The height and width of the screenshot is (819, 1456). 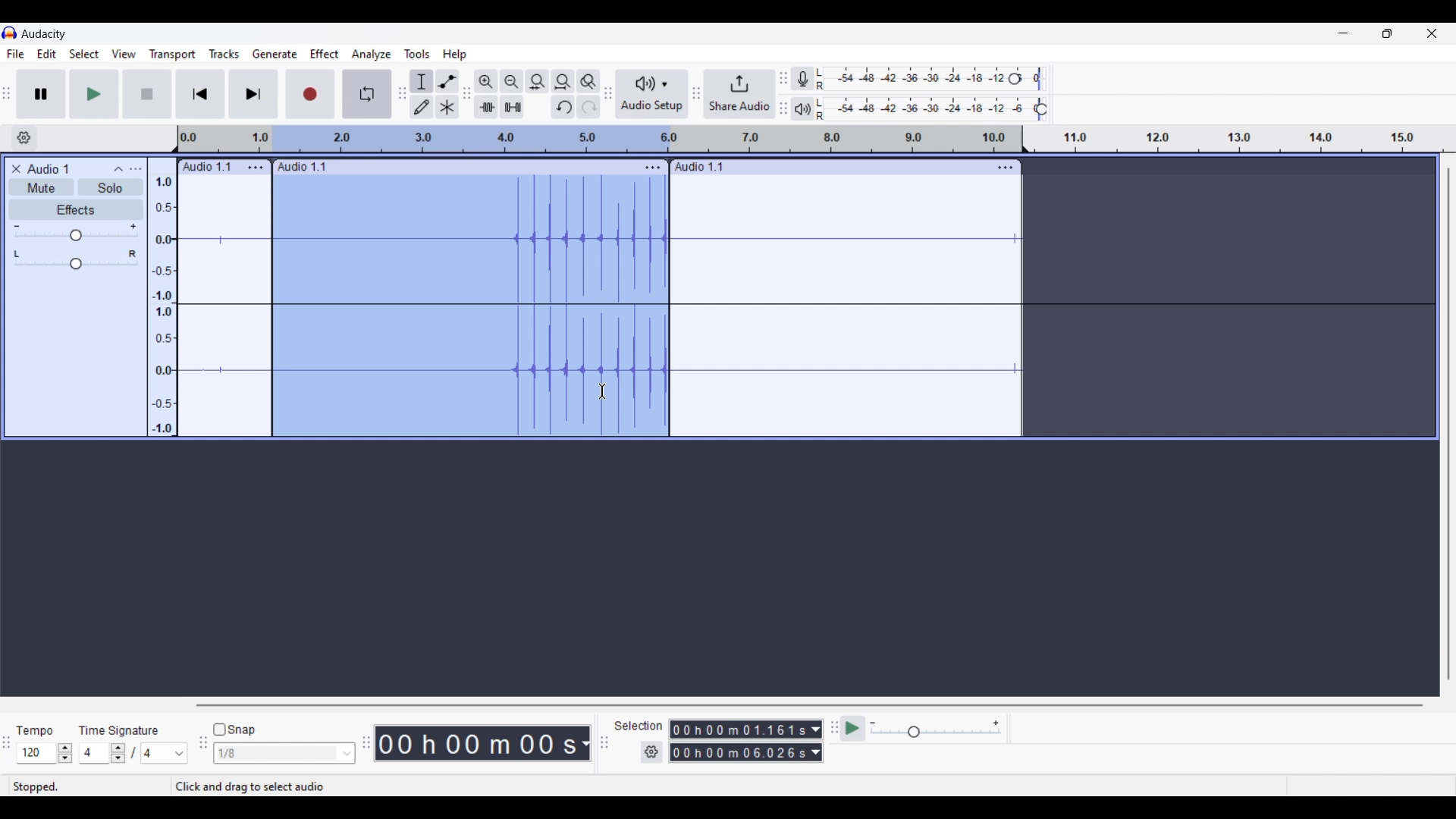 What do you see at coordinates (802, 78) in the screenshot?
I see `Record meter` at bounding box center [802, 78].